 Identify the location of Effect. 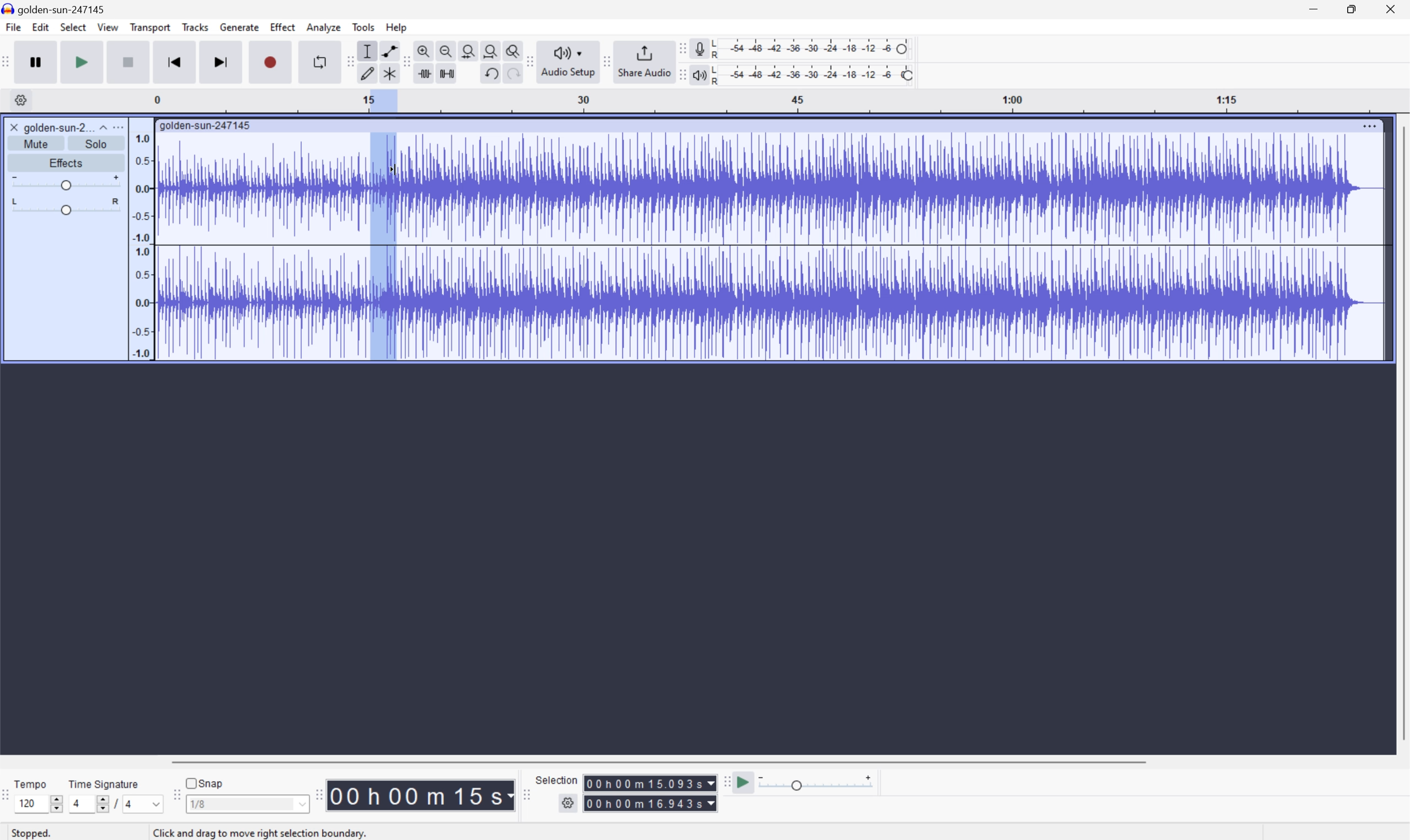
(283, 27).